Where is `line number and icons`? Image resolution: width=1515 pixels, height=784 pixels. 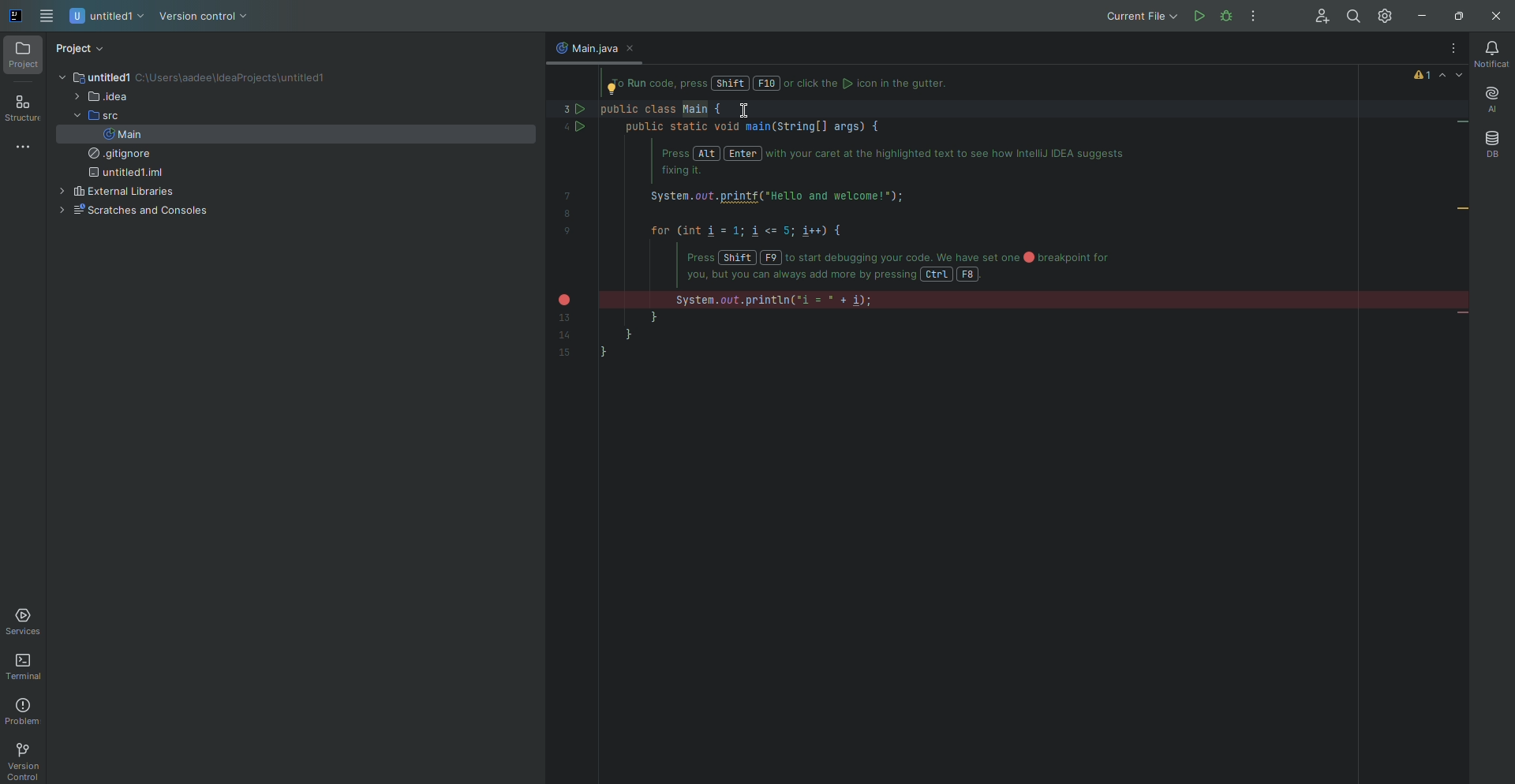 line number and icons is located at coordinates (571, 227).